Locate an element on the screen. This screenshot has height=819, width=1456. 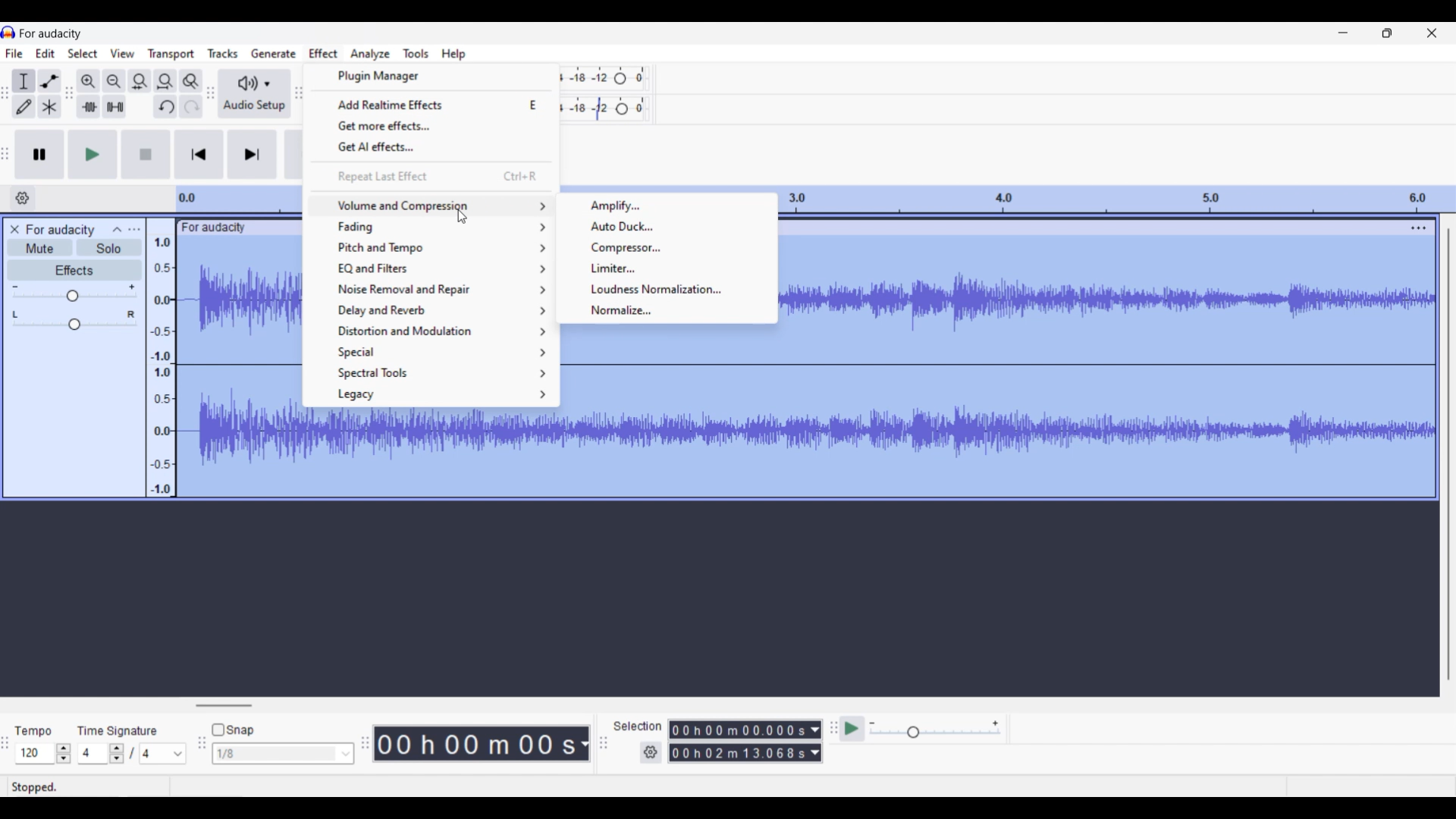
Settings is located at coordinates (651, 752).